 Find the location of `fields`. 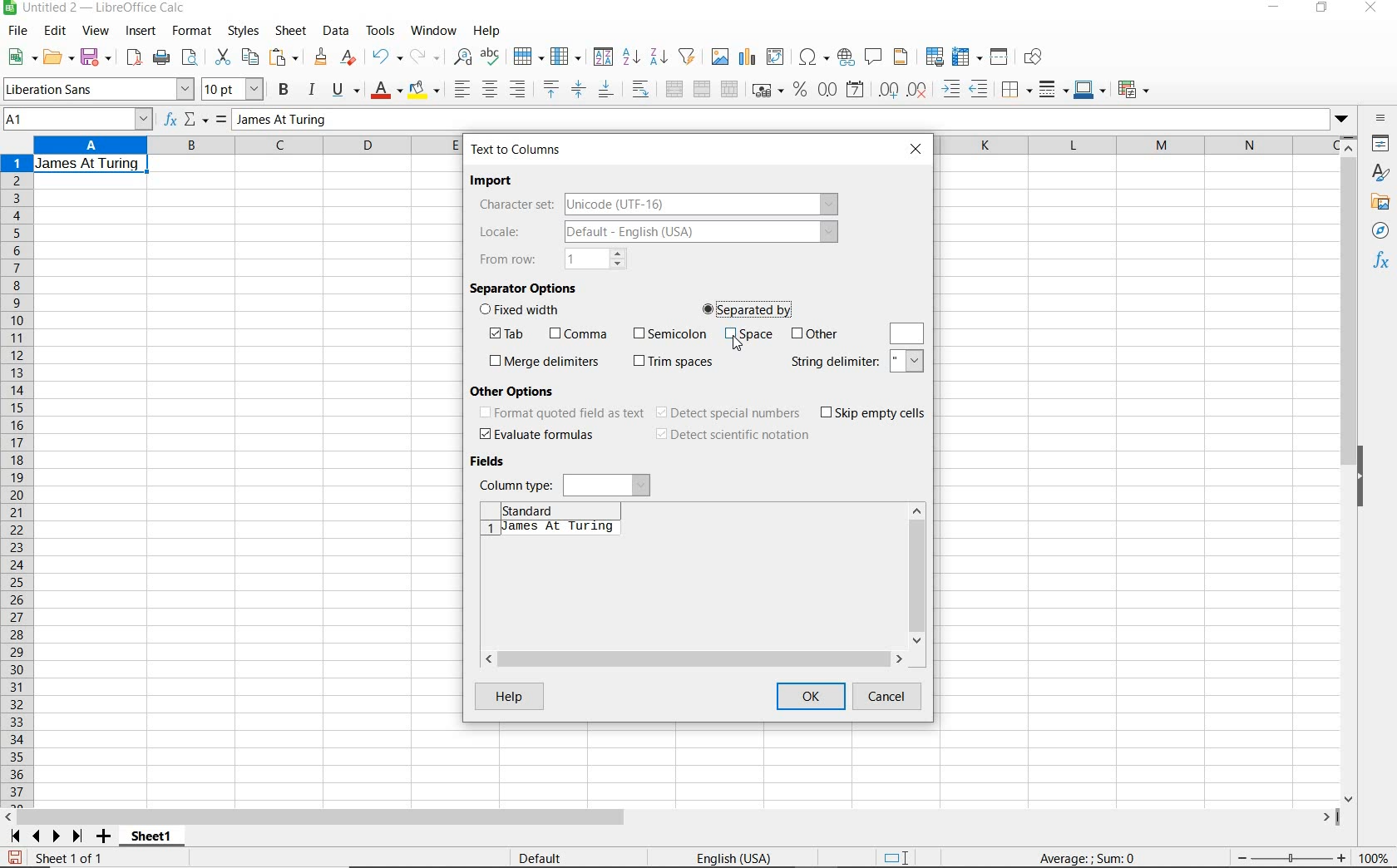

fields is located at coordinates (492, 462).